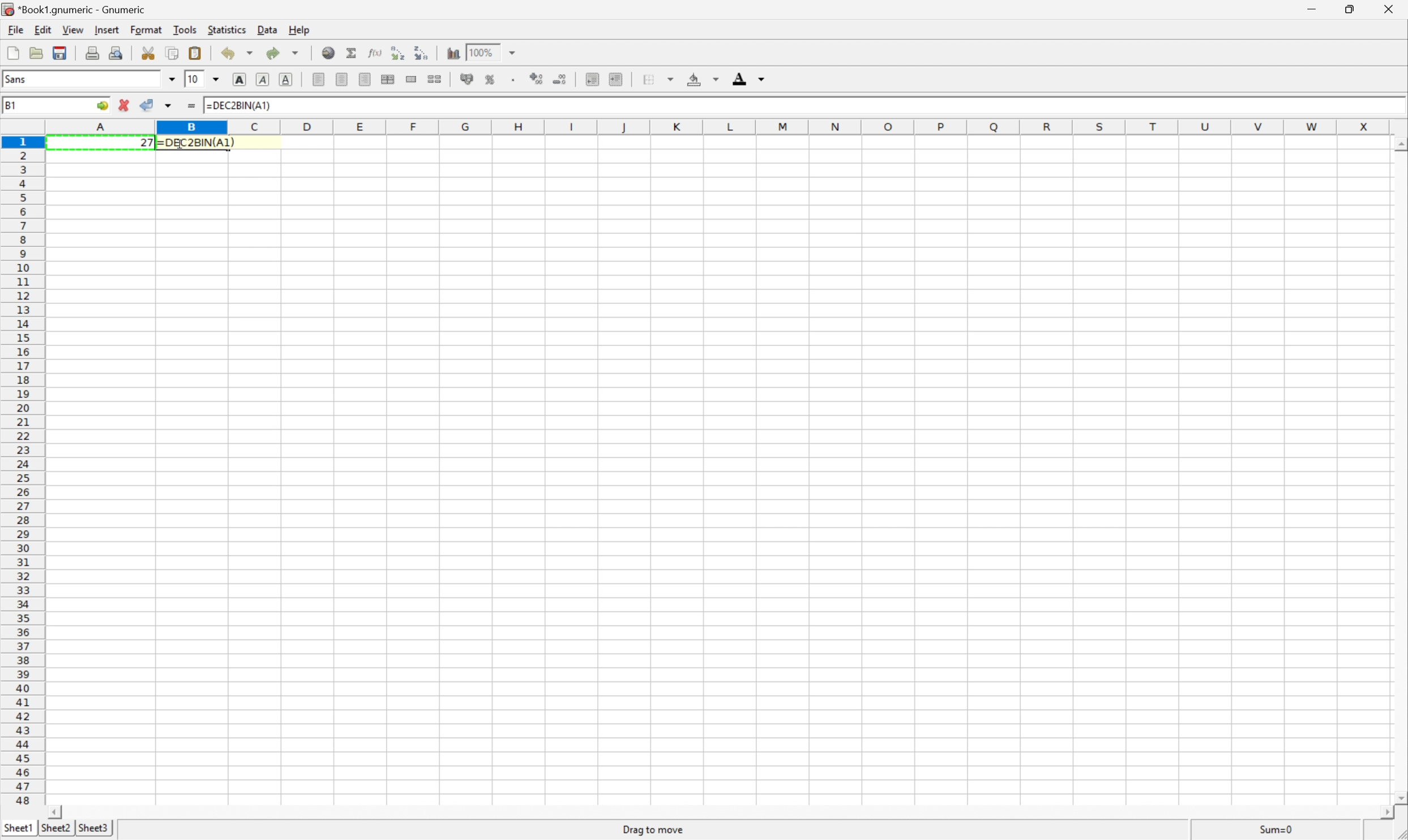  Describe the element at coordinates (151, 52) in the screenshot. I see `Cut selection` at that location.